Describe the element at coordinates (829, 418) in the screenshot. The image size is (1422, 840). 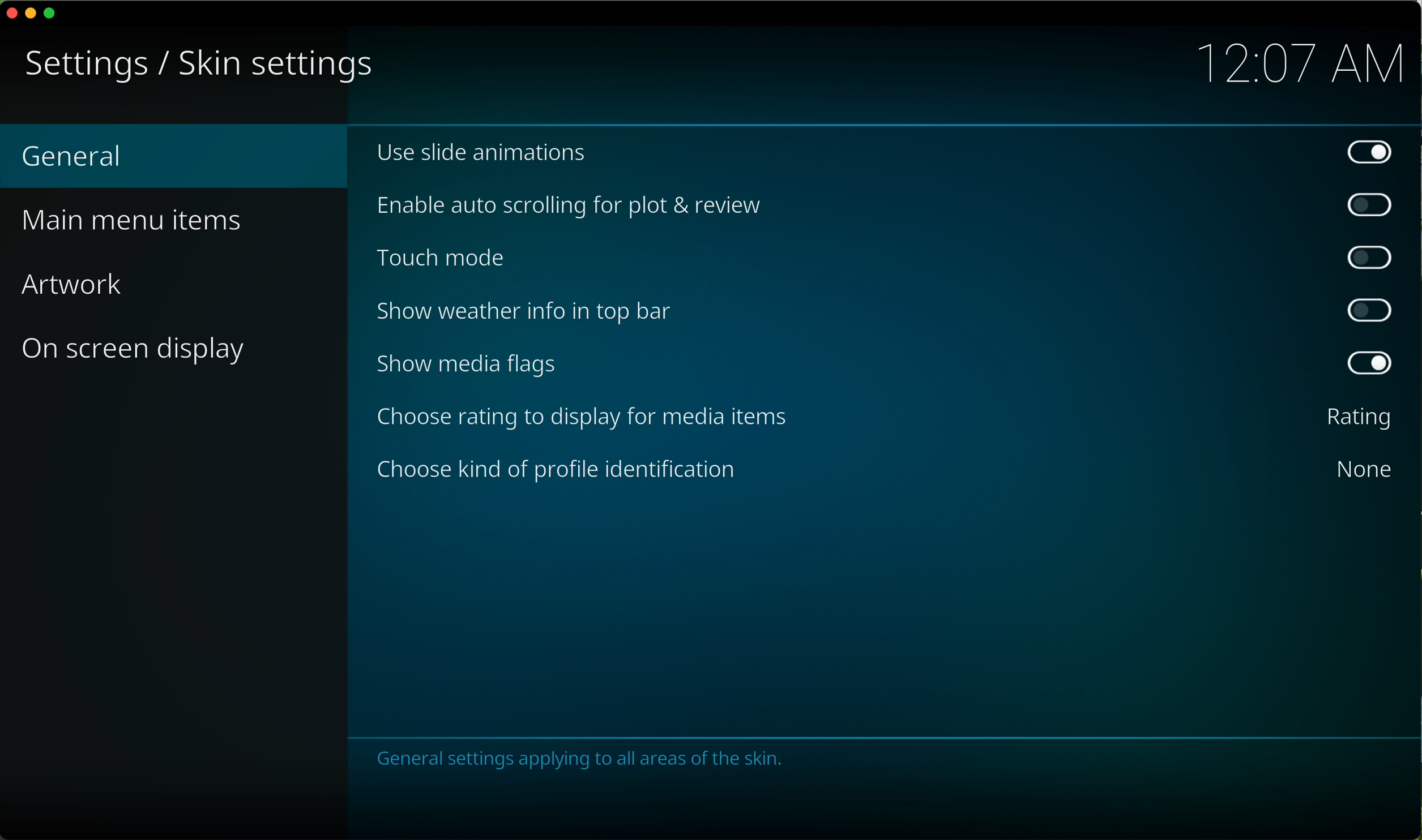
I see `click on choose rating to display for media items` at that location.